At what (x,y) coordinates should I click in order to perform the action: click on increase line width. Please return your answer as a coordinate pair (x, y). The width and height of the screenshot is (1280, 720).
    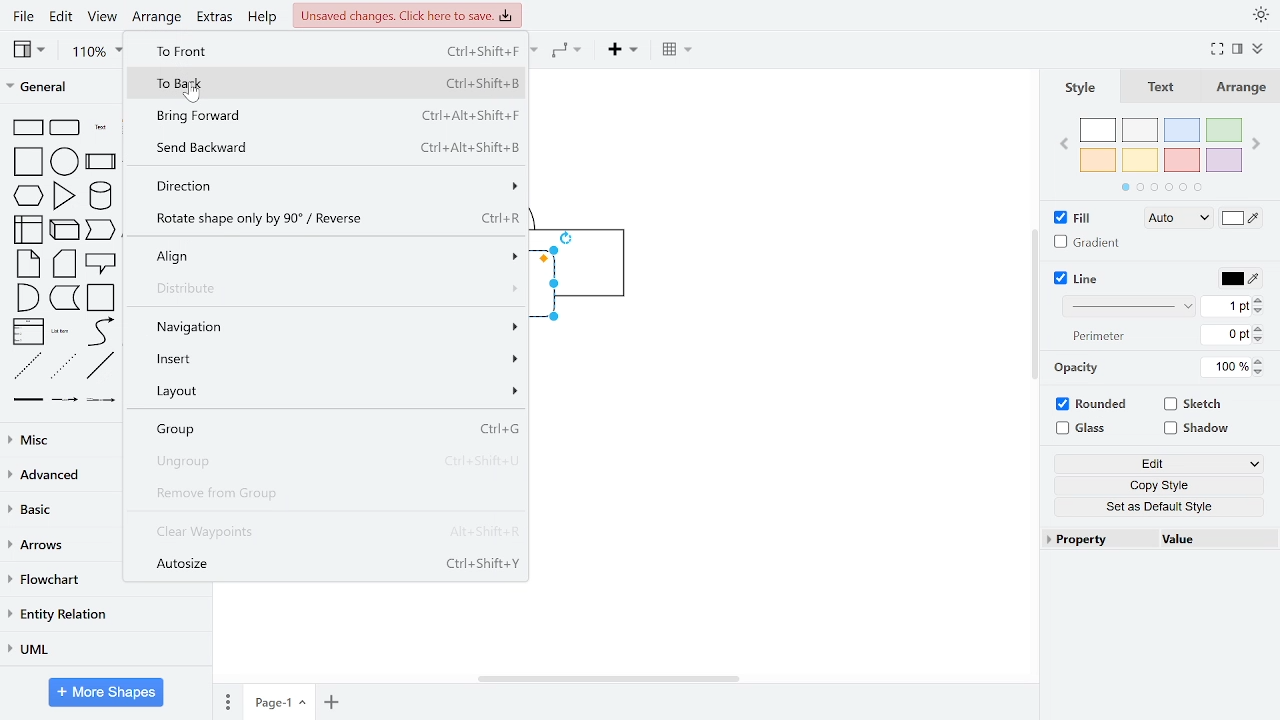
    Looking at the image, I should click on (1259, 300).